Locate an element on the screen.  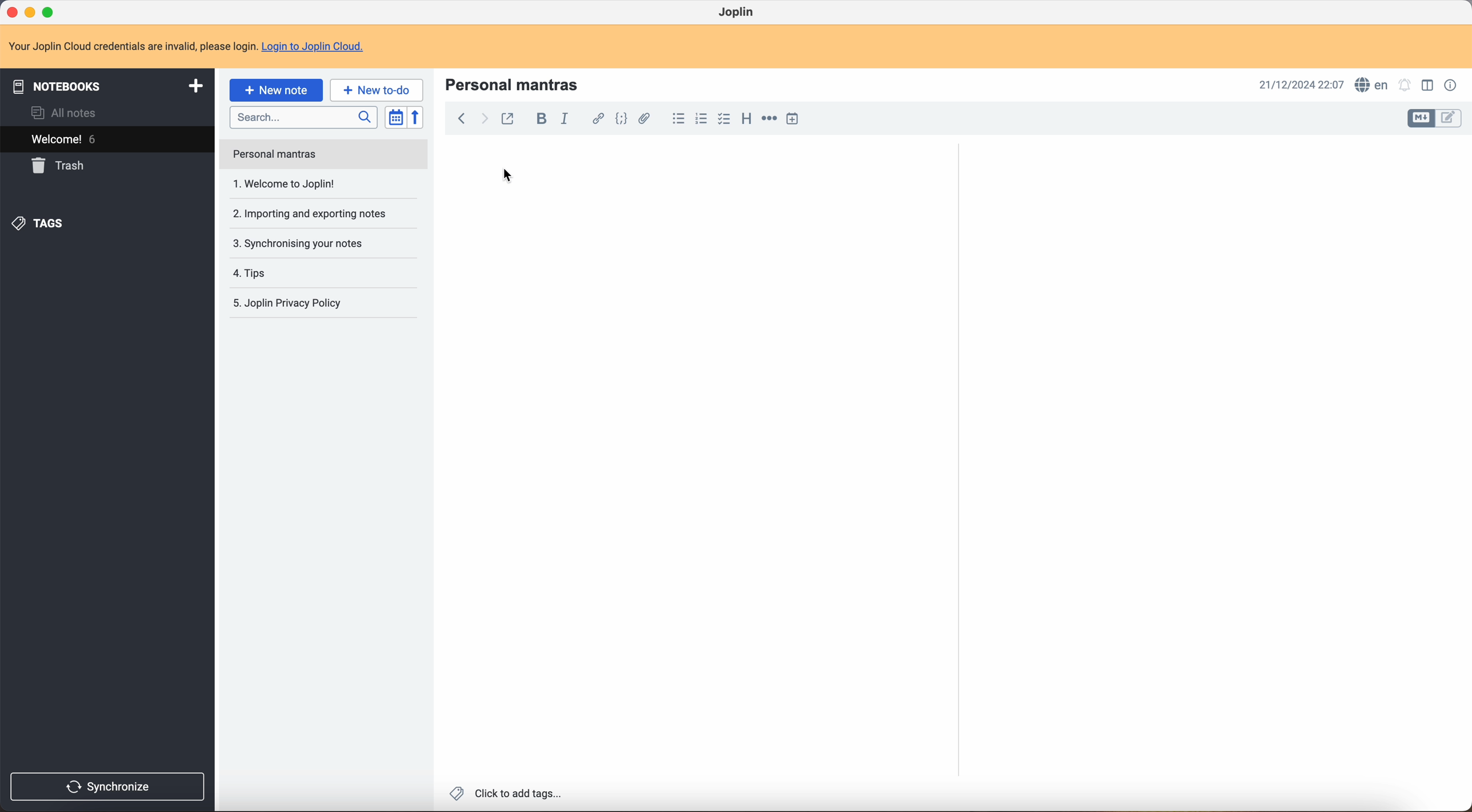
Joplin privacy p olicy is located at coordinates (286, 303).